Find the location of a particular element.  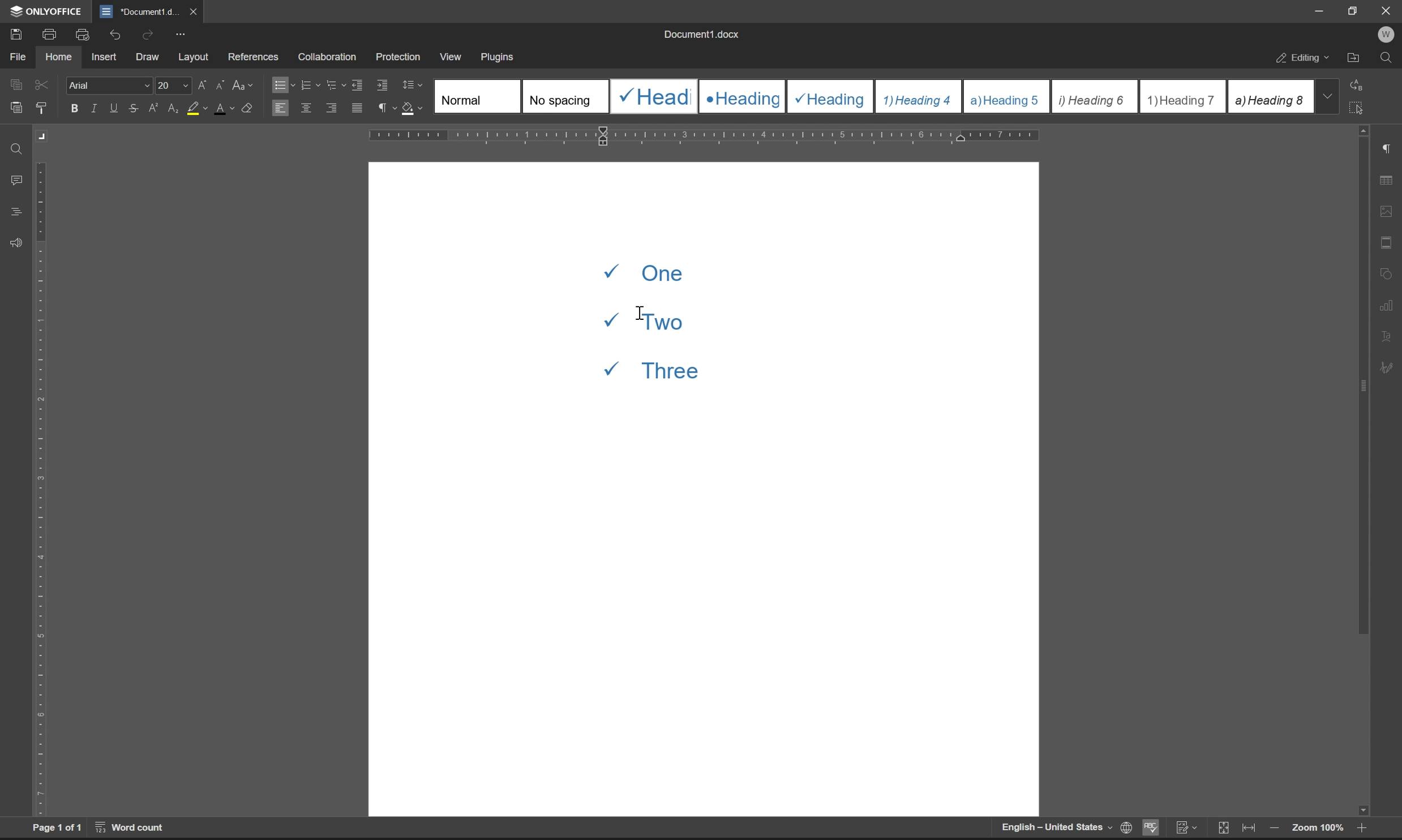

restore down is located at coordinates (1356, 10).